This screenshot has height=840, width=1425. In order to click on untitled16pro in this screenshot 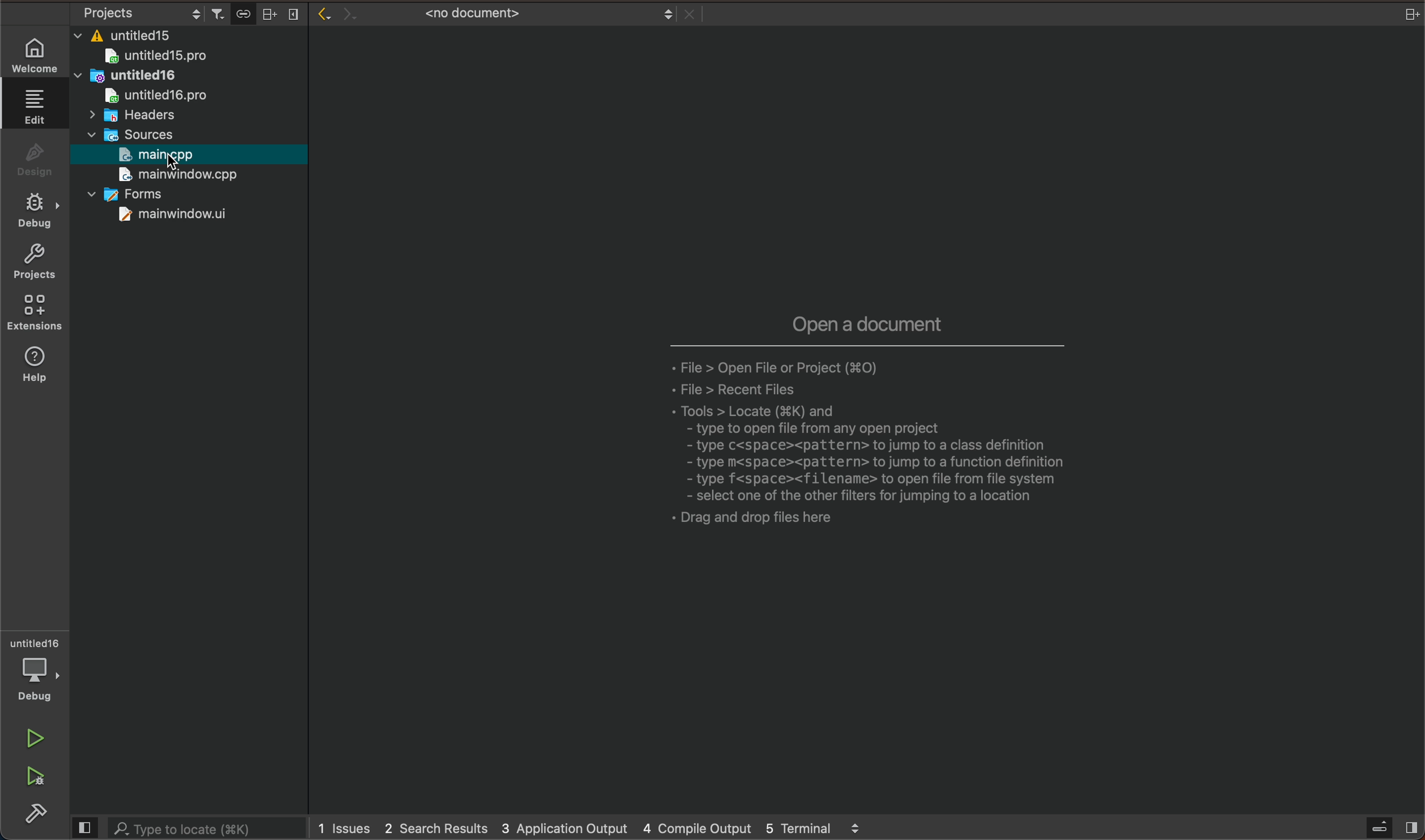, I will do `click(159, 95)`.